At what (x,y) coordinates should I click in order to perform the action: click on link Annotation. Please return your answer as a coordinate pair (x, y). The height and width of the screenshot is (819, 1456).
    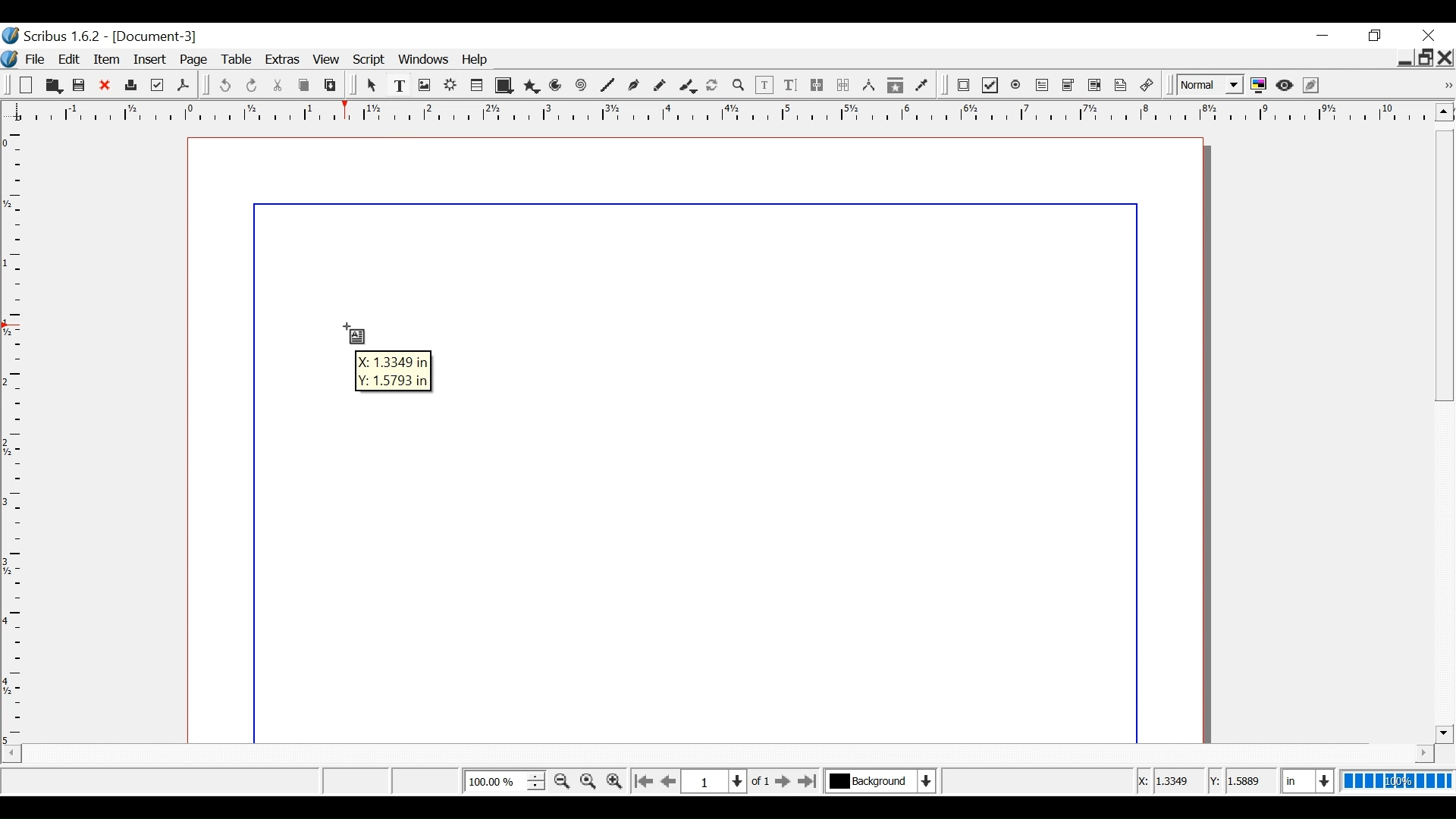
    Looking at the image, I should click on (1147, 86).